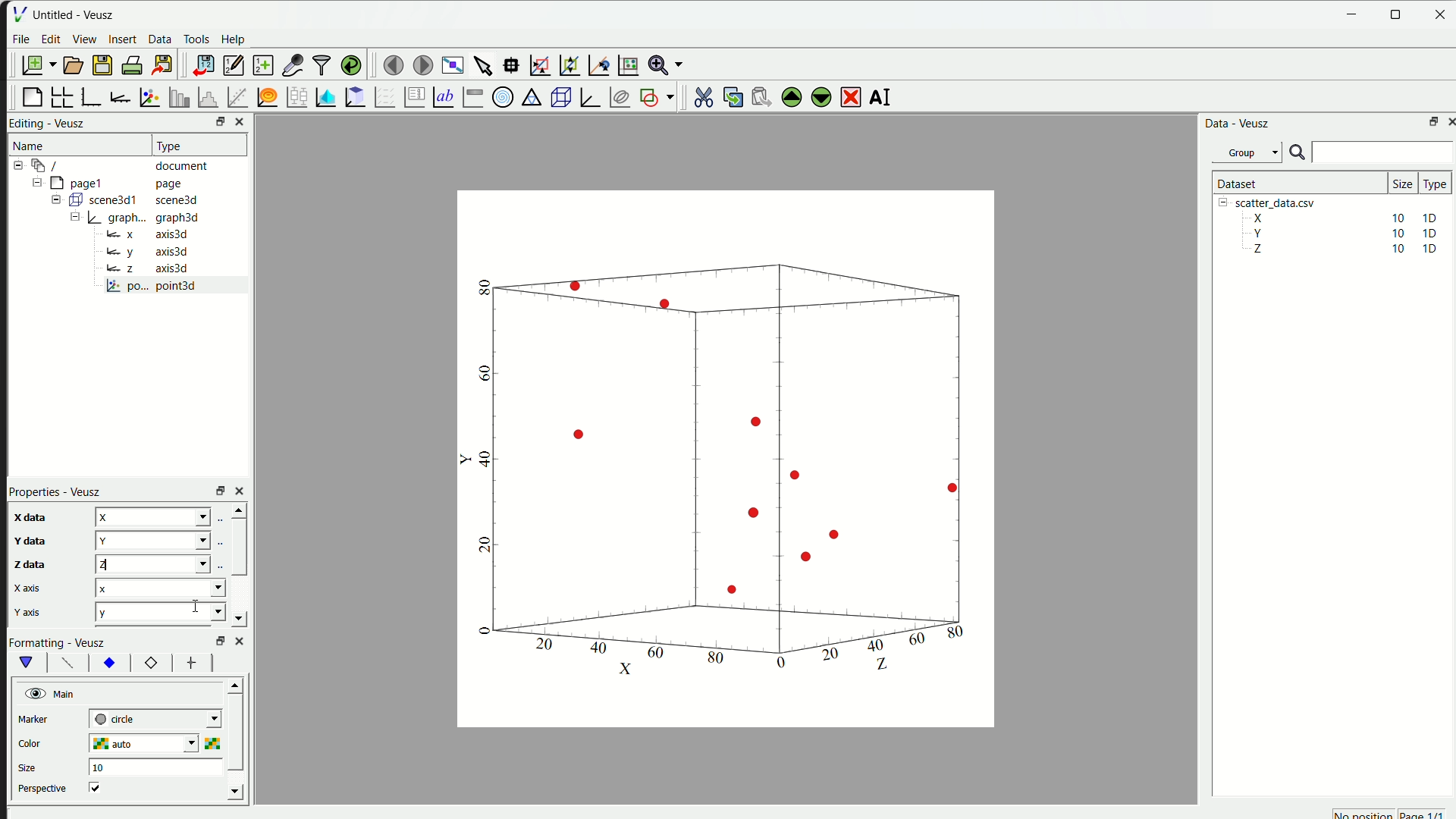 The width and height of the screenshot is (1456, 819). I want to click on new document, so click(35, 64).